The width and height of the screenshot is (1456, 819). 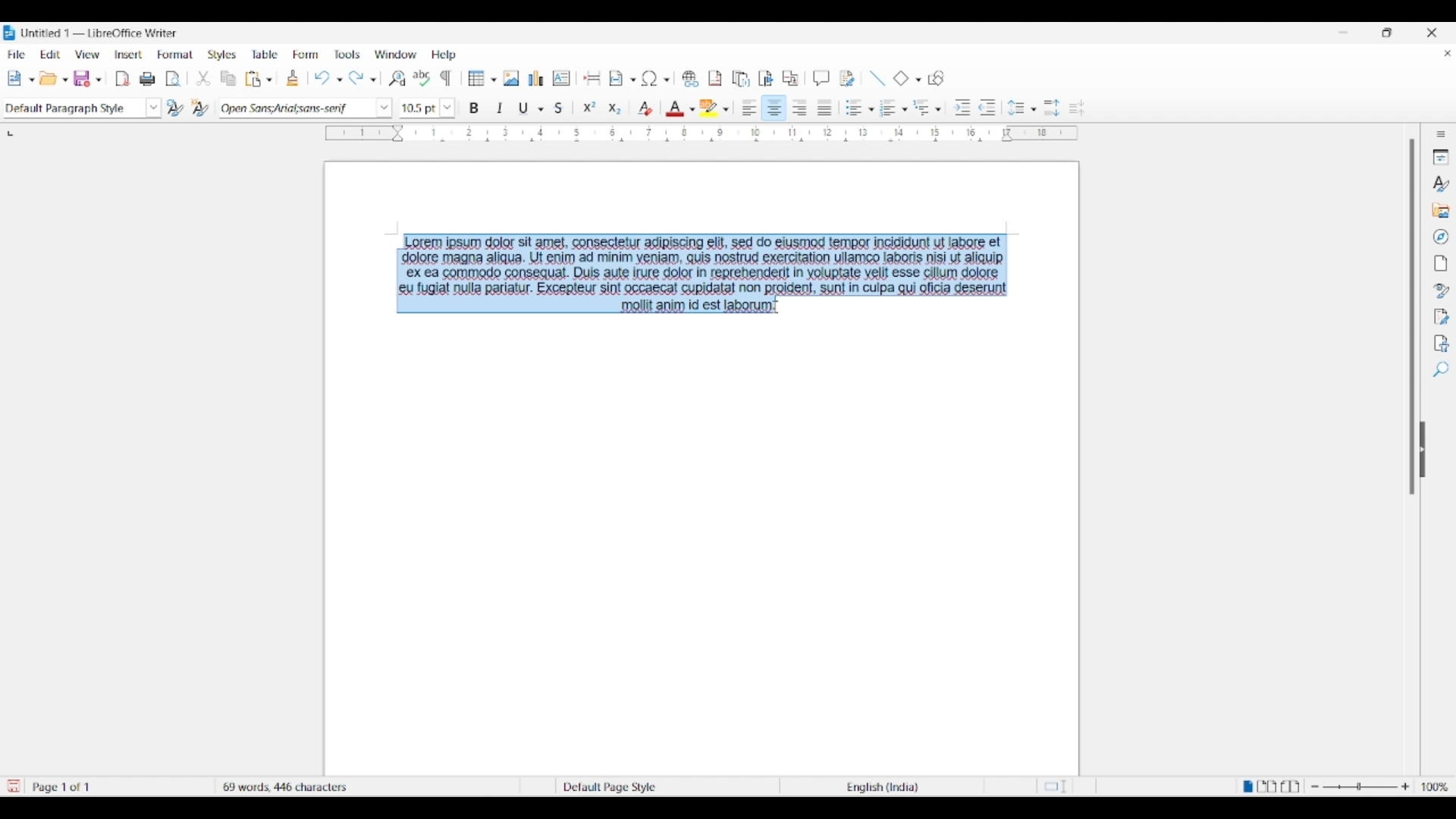 I want to click on Show interface in a smaller tab, so click(x=1386, y=32).